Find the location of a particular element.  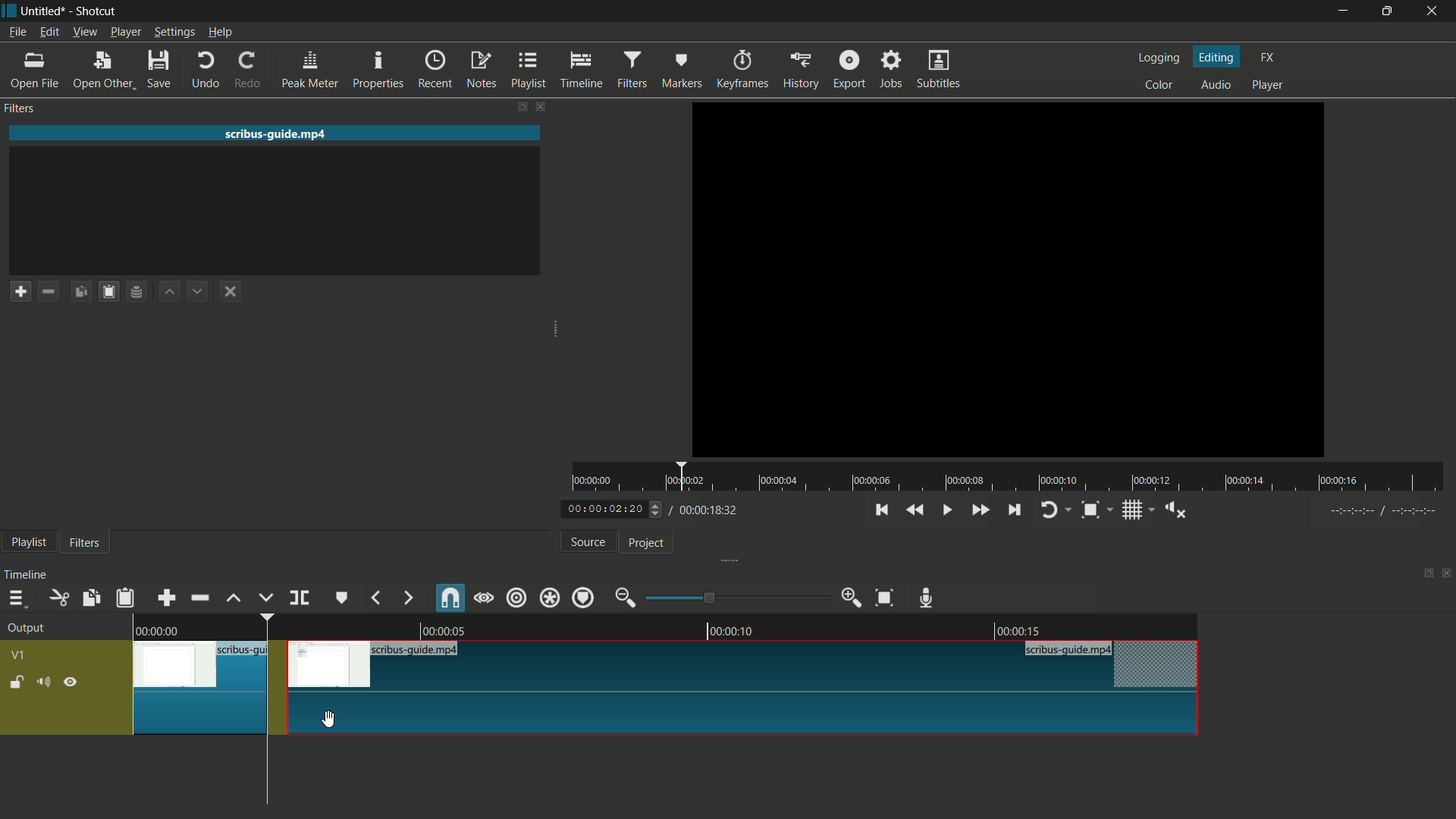

fx is located at coordinates (1267, 55).